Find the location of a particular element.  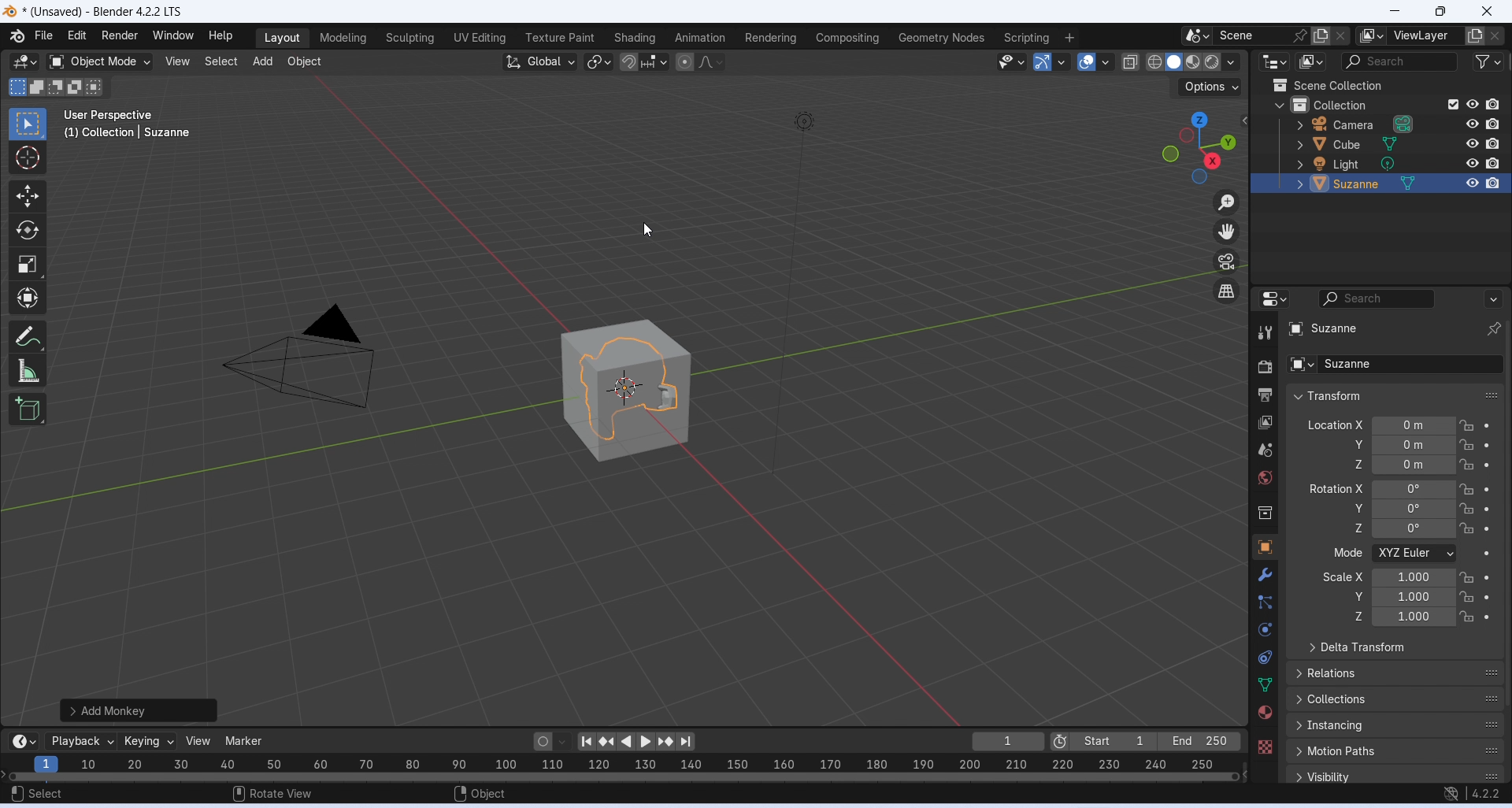

Scripting is located at coordinates (1025, 38).